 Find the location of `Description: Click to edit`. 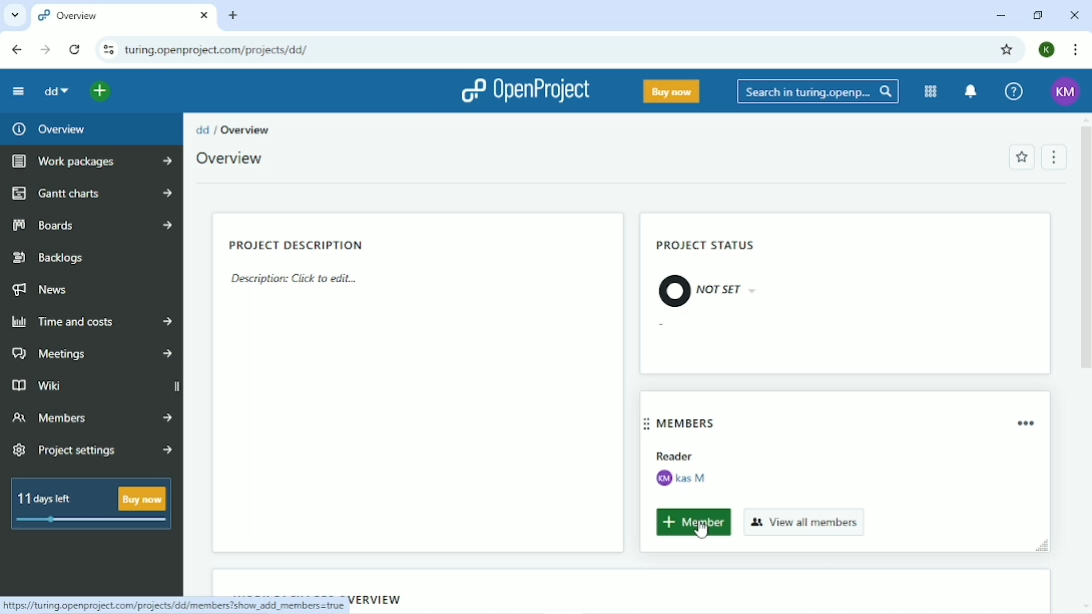

Description: Click to edit is located at coordinates (300, 281).